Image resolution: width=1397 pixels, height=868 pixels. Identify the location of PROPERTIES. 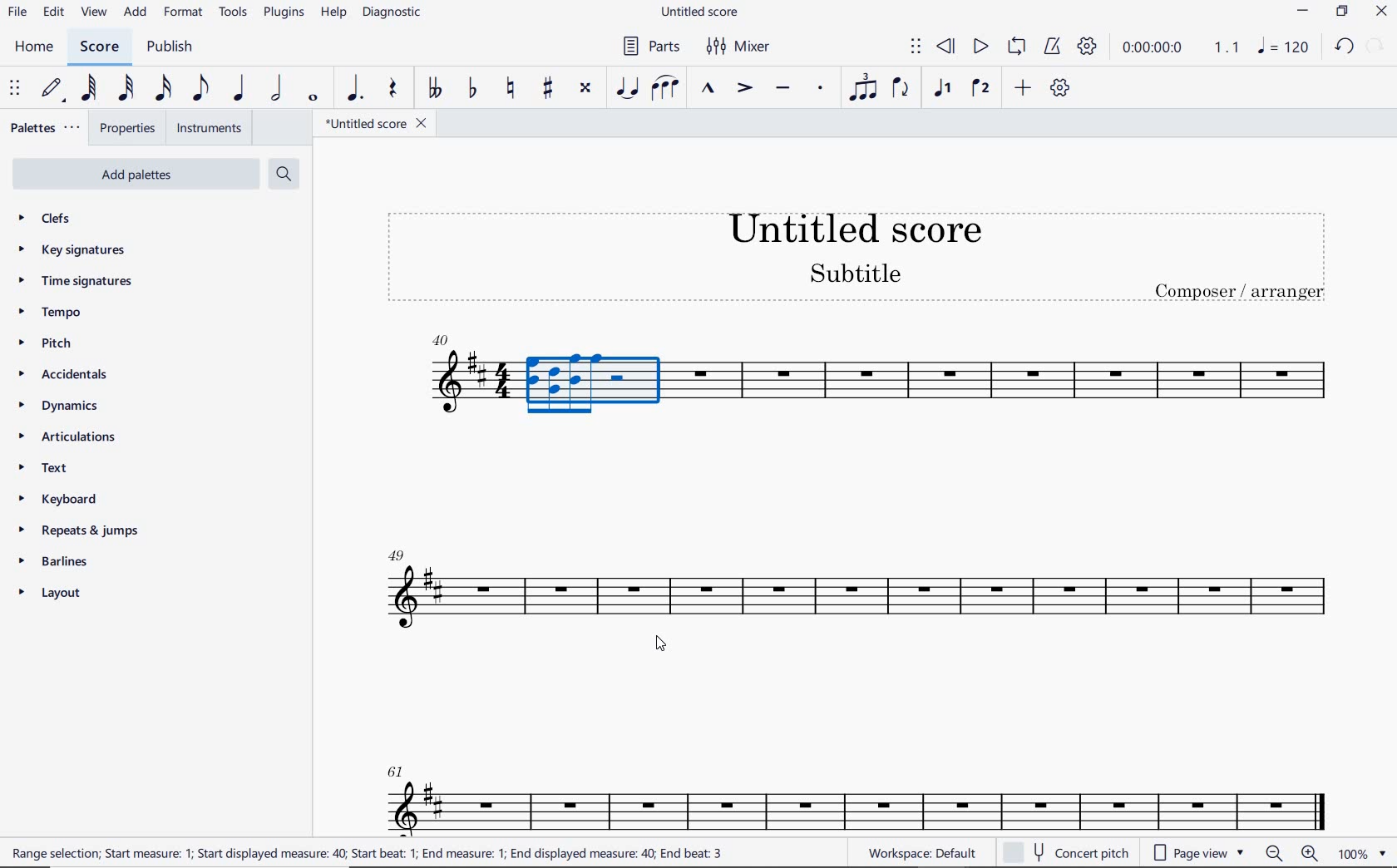
(126, 131).